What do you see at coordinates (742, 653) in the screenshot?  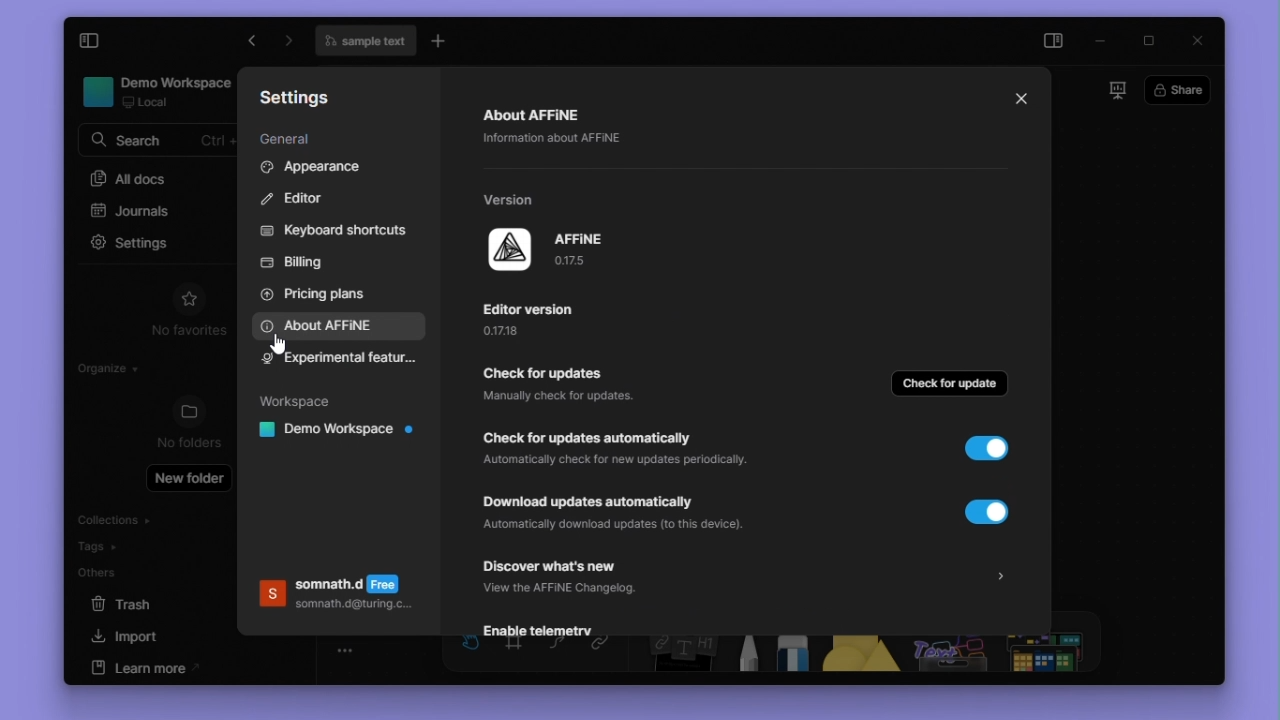 I see `Pen` at bounding box center [742, 653].